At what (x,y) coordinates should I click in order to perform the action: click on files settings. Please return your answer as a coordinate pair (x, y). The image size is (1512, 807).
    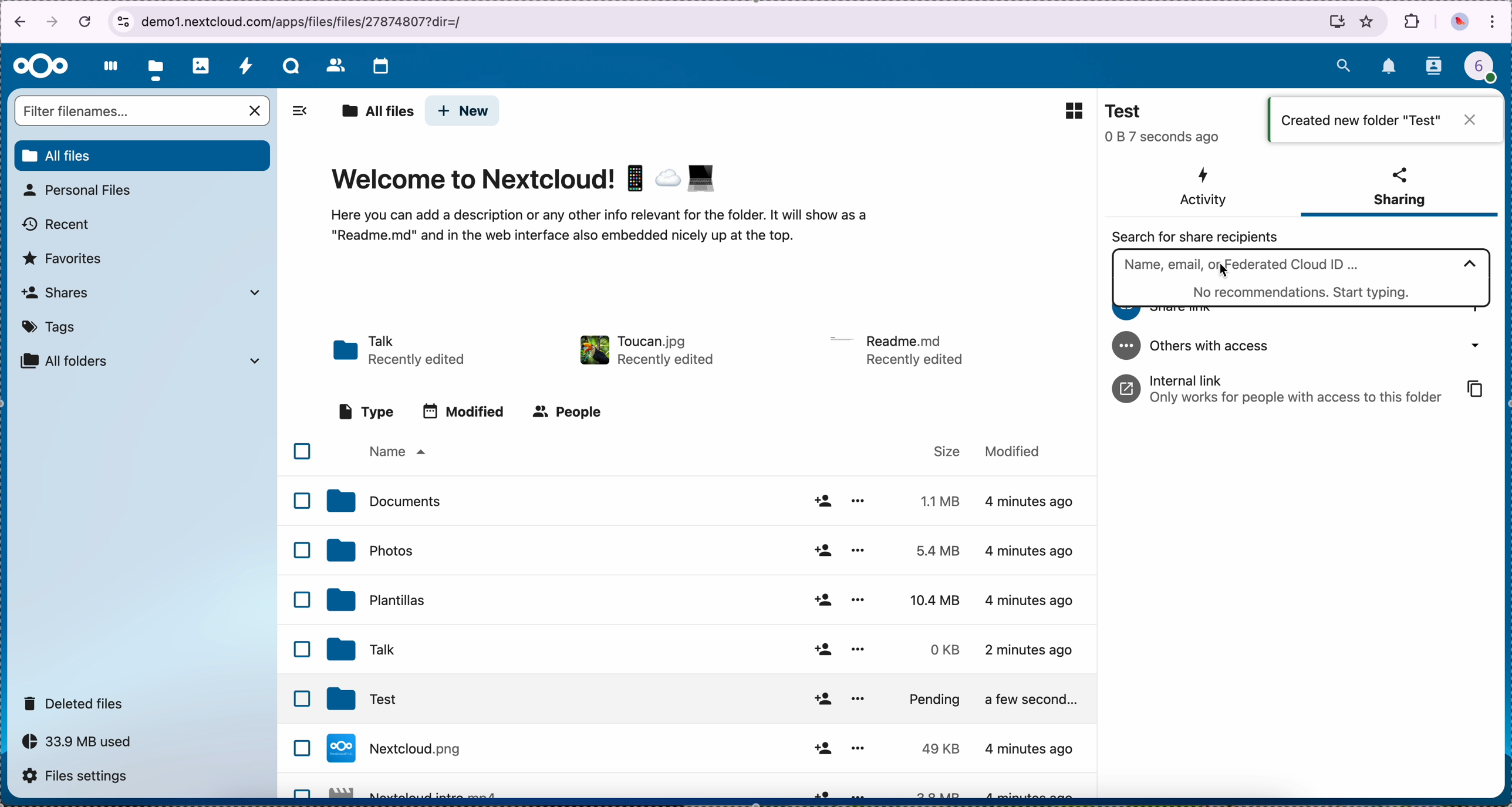
    Looking at the image, I should click on (81, 778).